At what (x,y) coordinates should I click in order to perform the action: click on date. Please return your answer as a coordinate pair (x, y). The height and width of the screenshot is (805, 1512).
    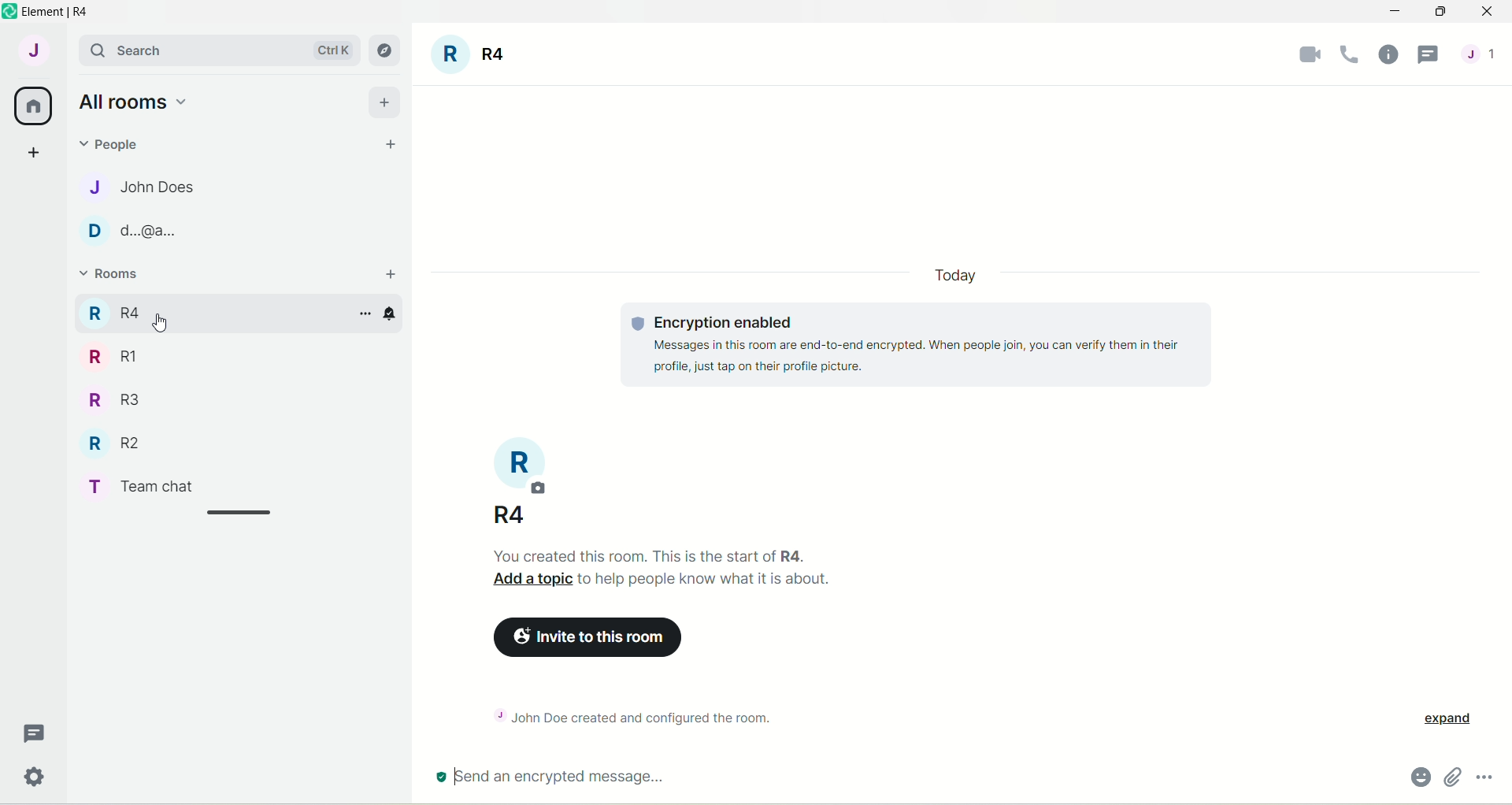
    Looking at the image, I should click on (954, 276).